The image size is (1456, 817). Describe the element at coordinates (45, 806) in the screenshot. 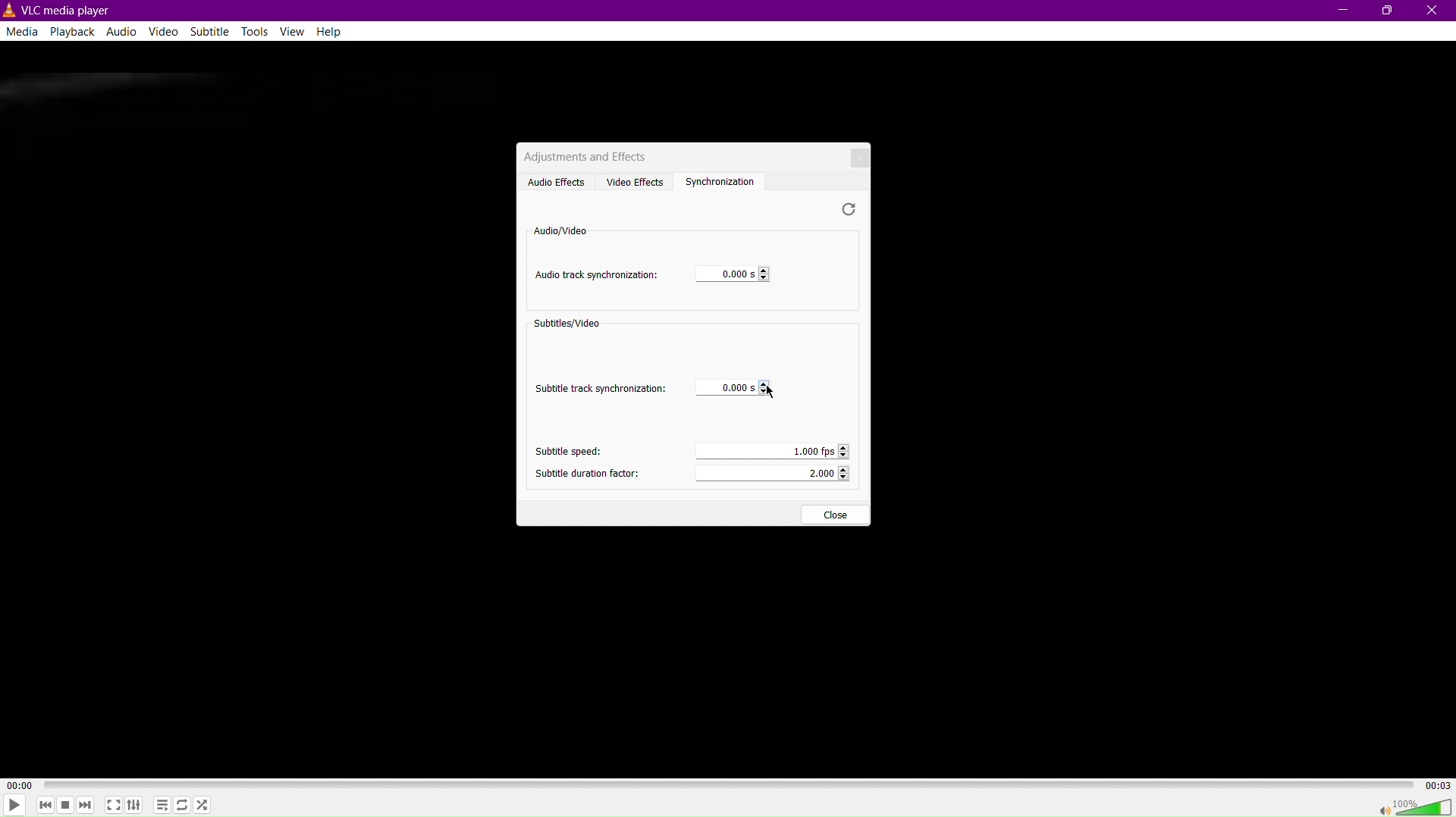

I see `skip back` at that location.